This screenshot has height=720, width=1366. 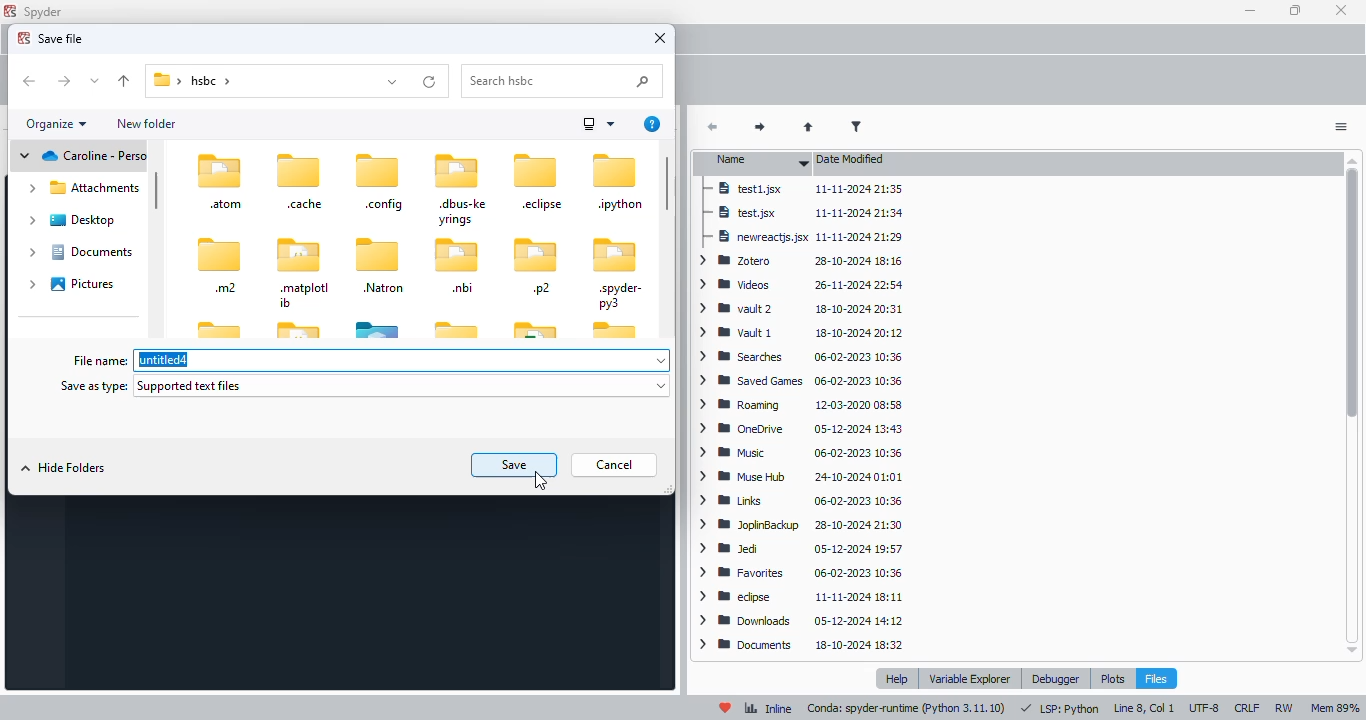 What do you see at coordinates (616, 183) in the screenshot?
I see `.ipython` at bounding box center [616, 183].